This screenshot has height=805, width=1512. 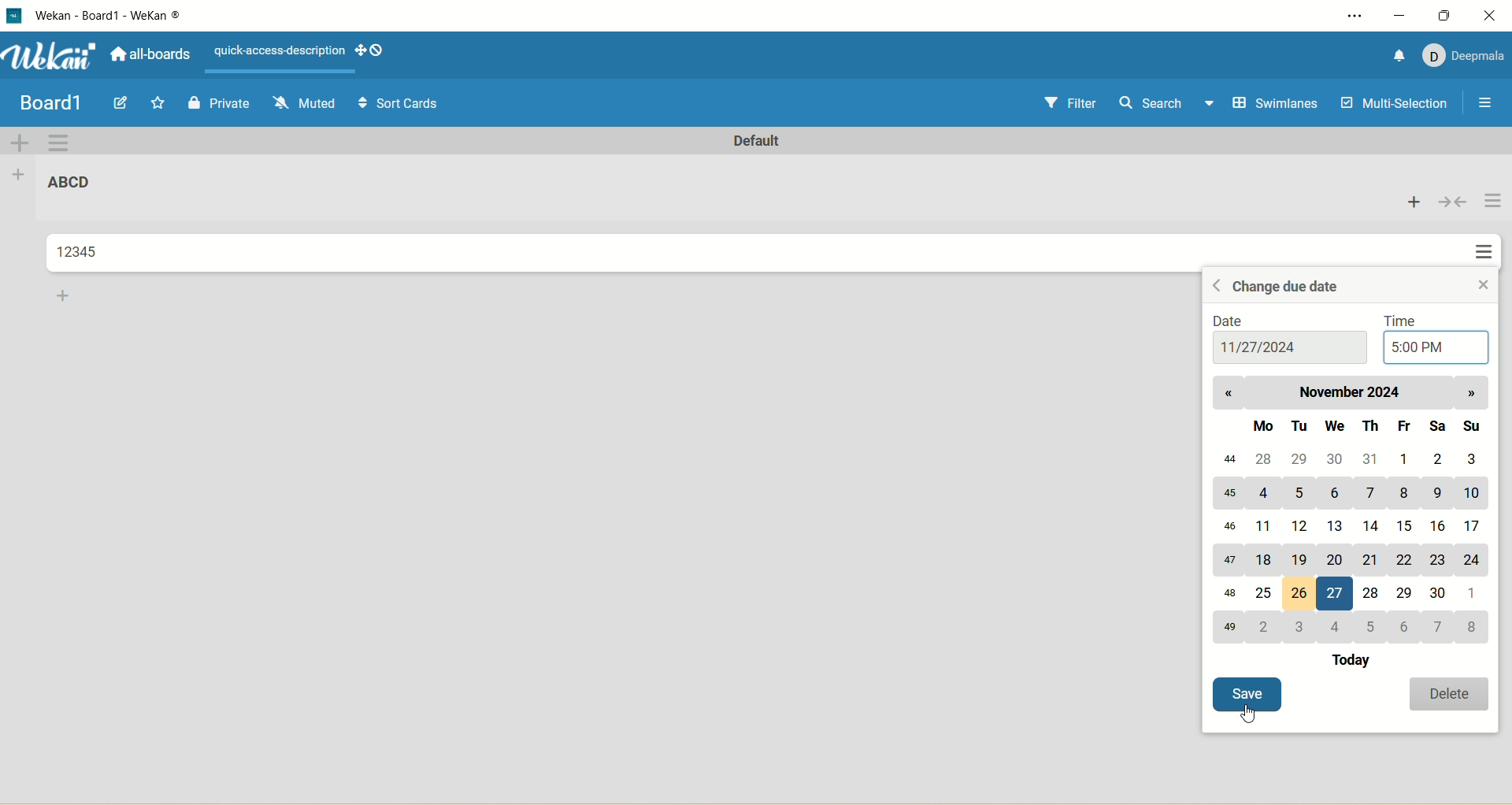 I want to click on date, so click(x=1273, y=319).